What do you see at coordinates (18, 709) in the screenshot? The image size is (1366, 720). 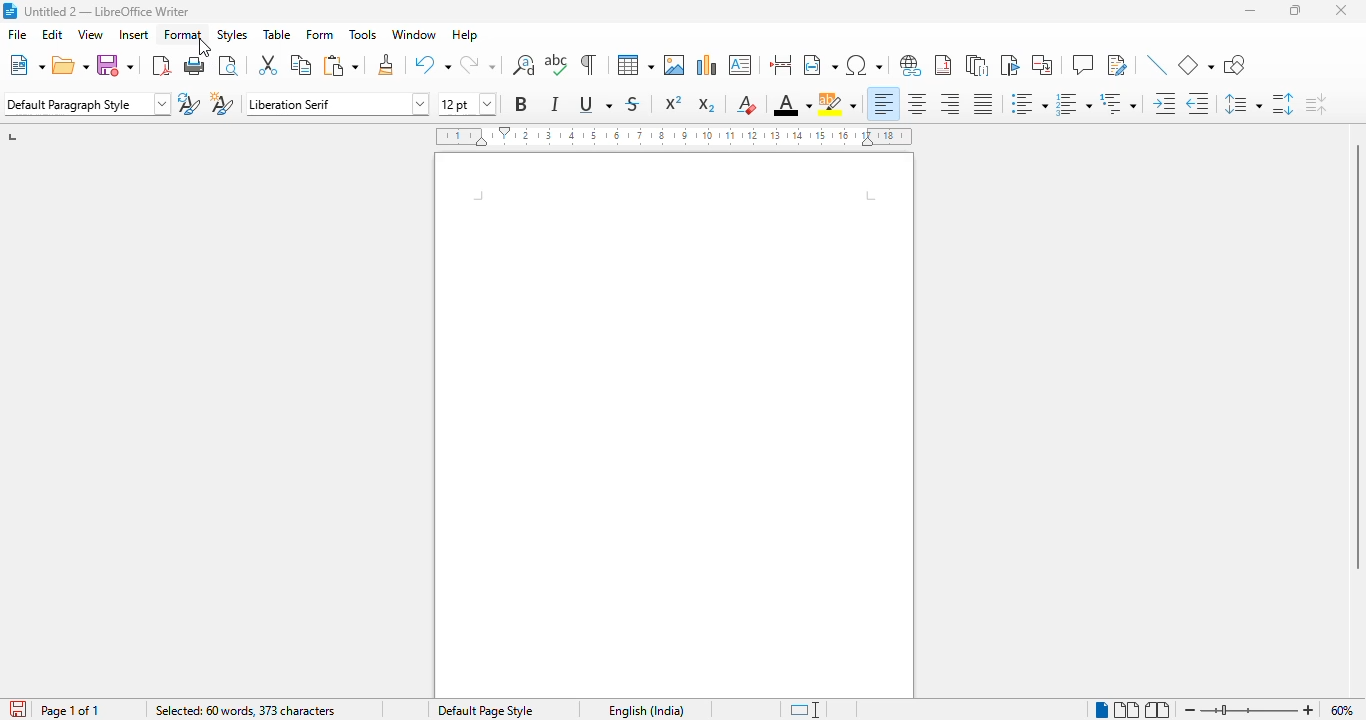 I see `click to save the document` at bounding box center [18, 709].